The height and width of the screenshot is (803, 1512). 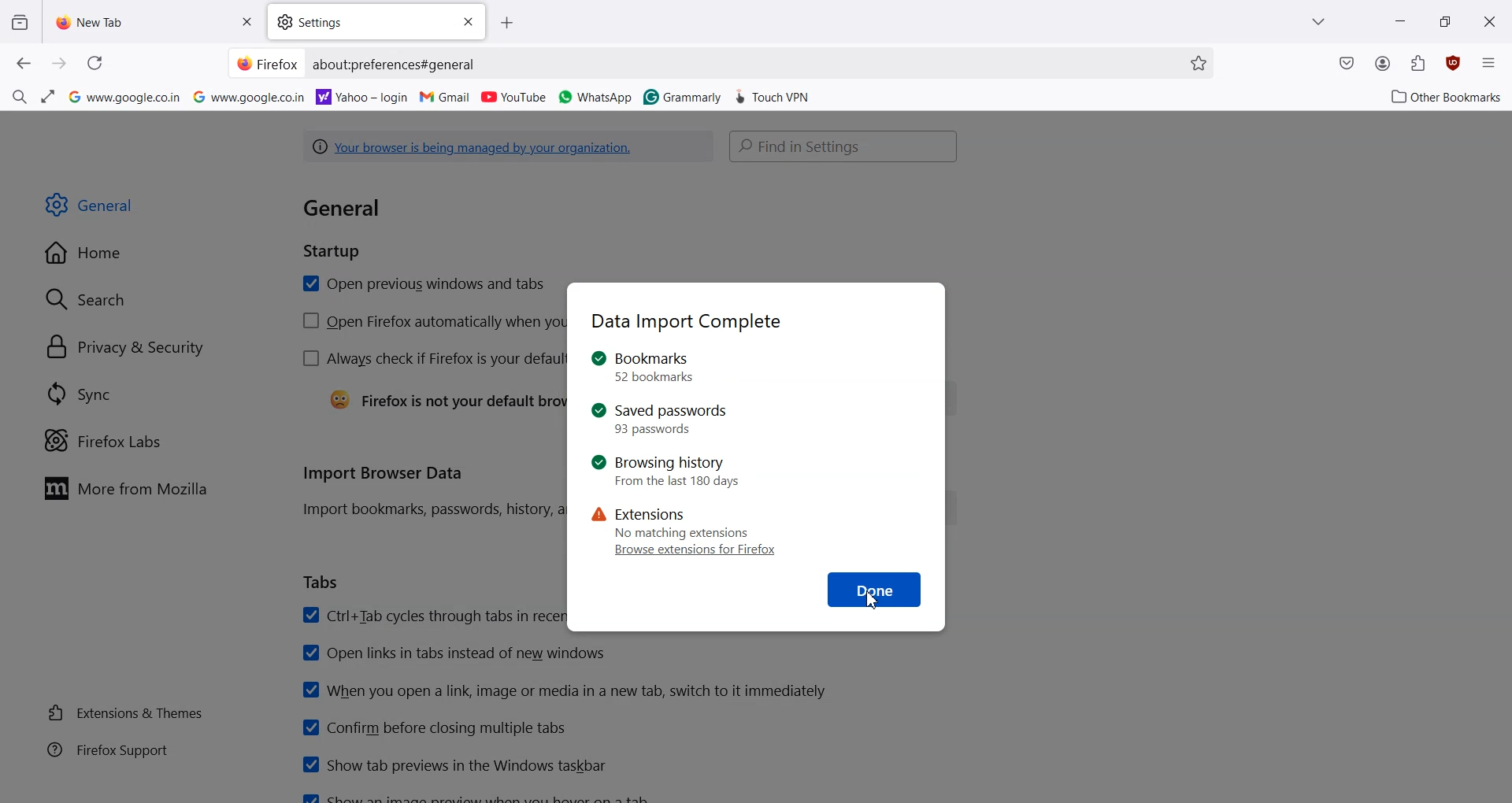 I want to click on Search bar, so click(x=845, y=147).